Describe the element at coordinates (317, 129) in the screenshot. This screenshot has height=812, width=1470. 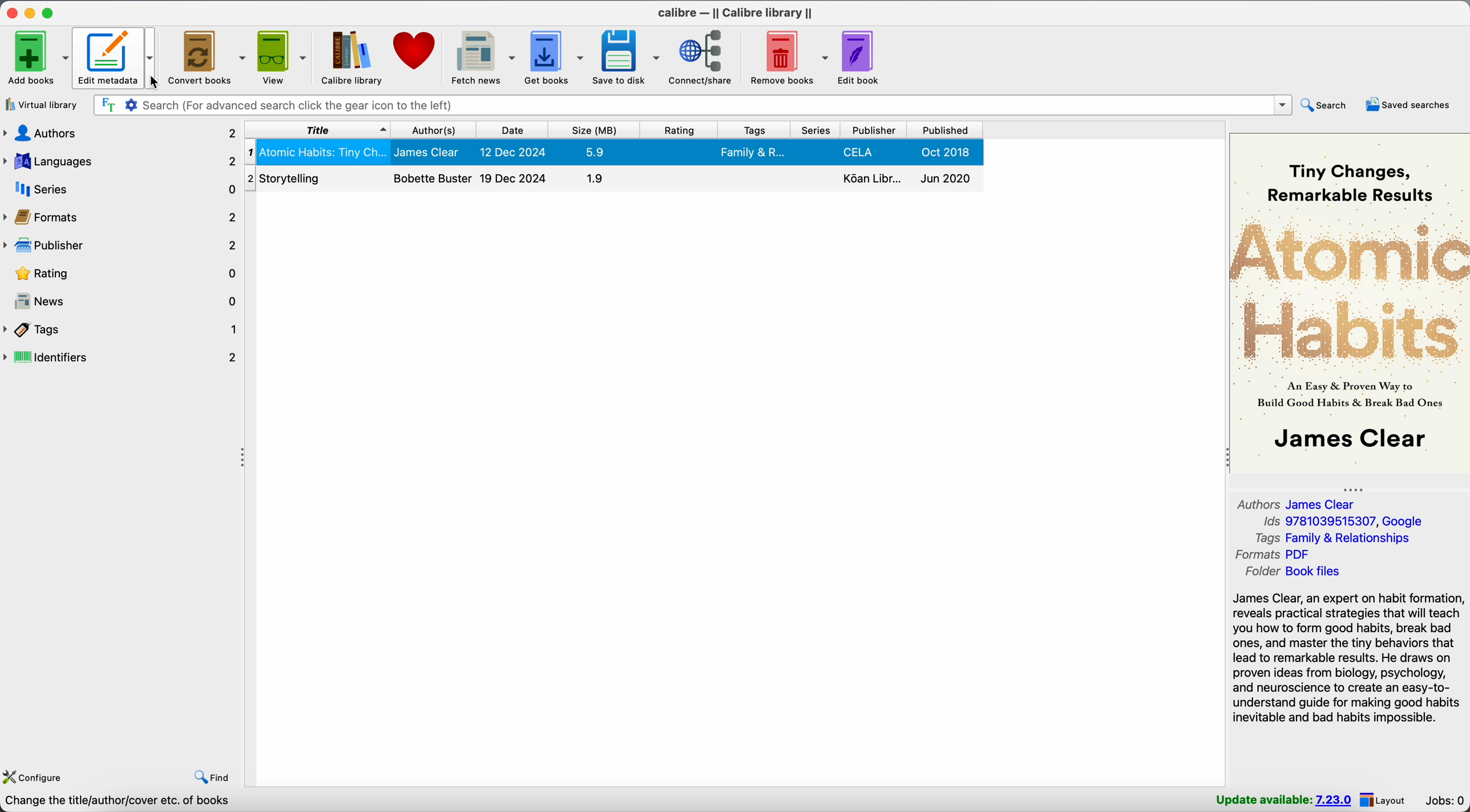
I see `title` at that location.